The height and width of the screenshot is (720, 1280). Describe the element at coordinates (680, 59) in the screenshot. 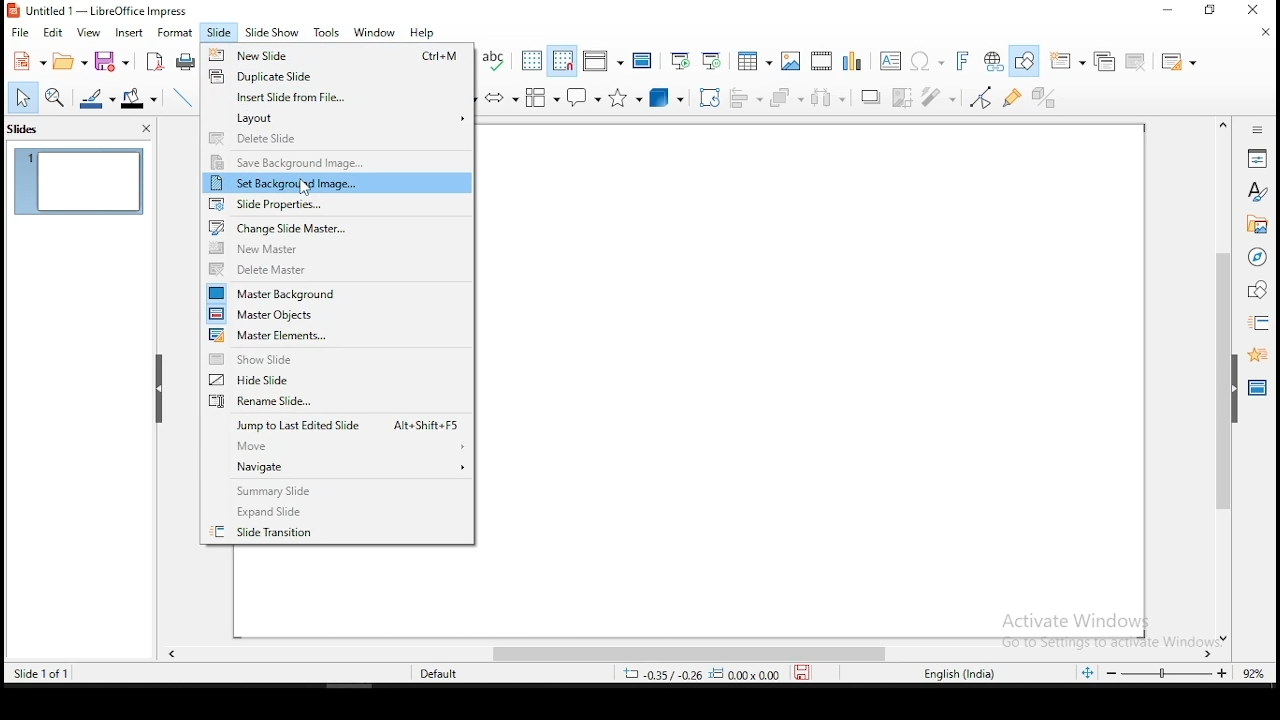

I see `start from first slide` at that location.